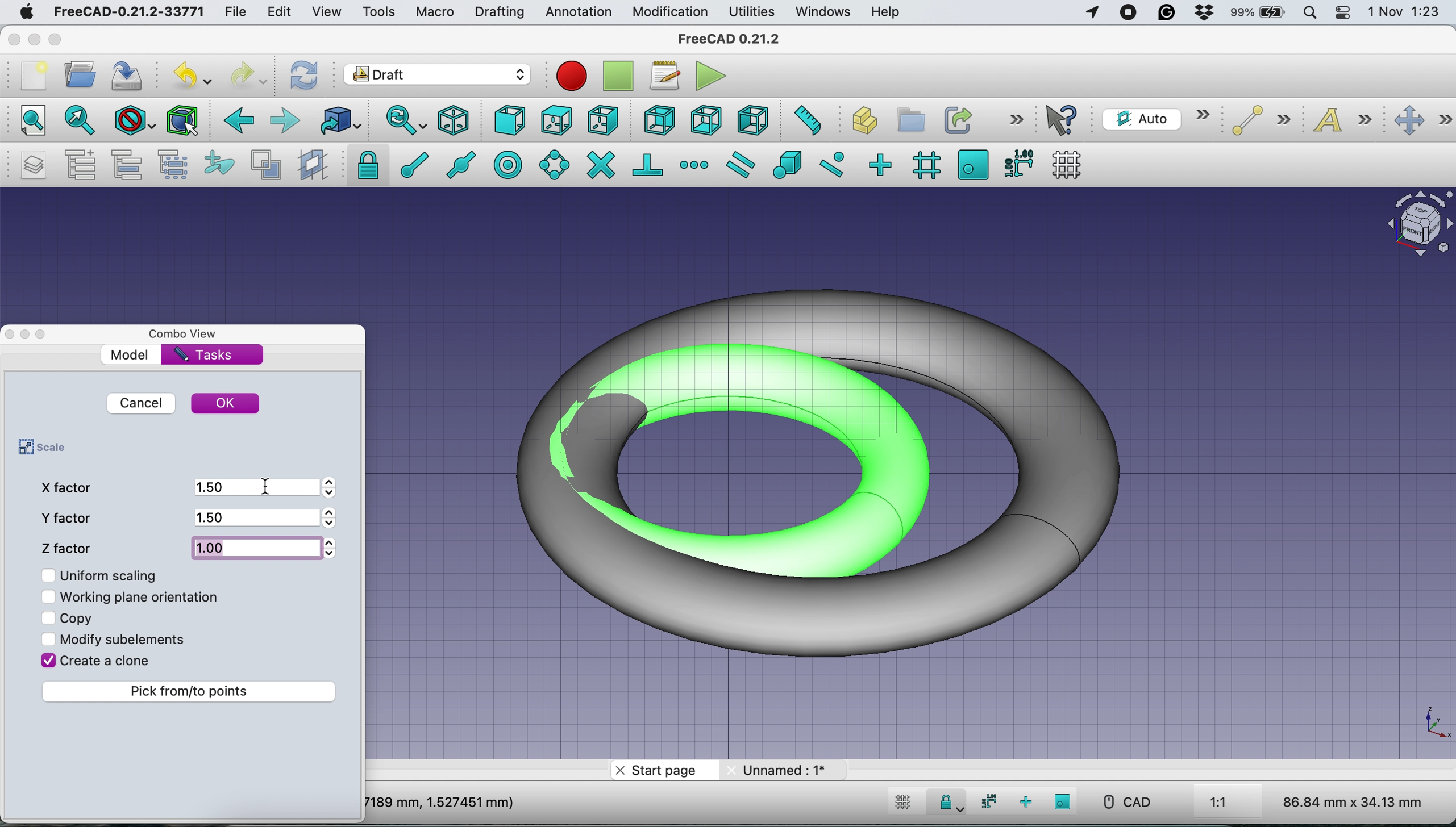 This screenshot has width=1456, height=827. Describe the element at coordinates (9, 335) in the screenshot. I see `close dock view` at that location.